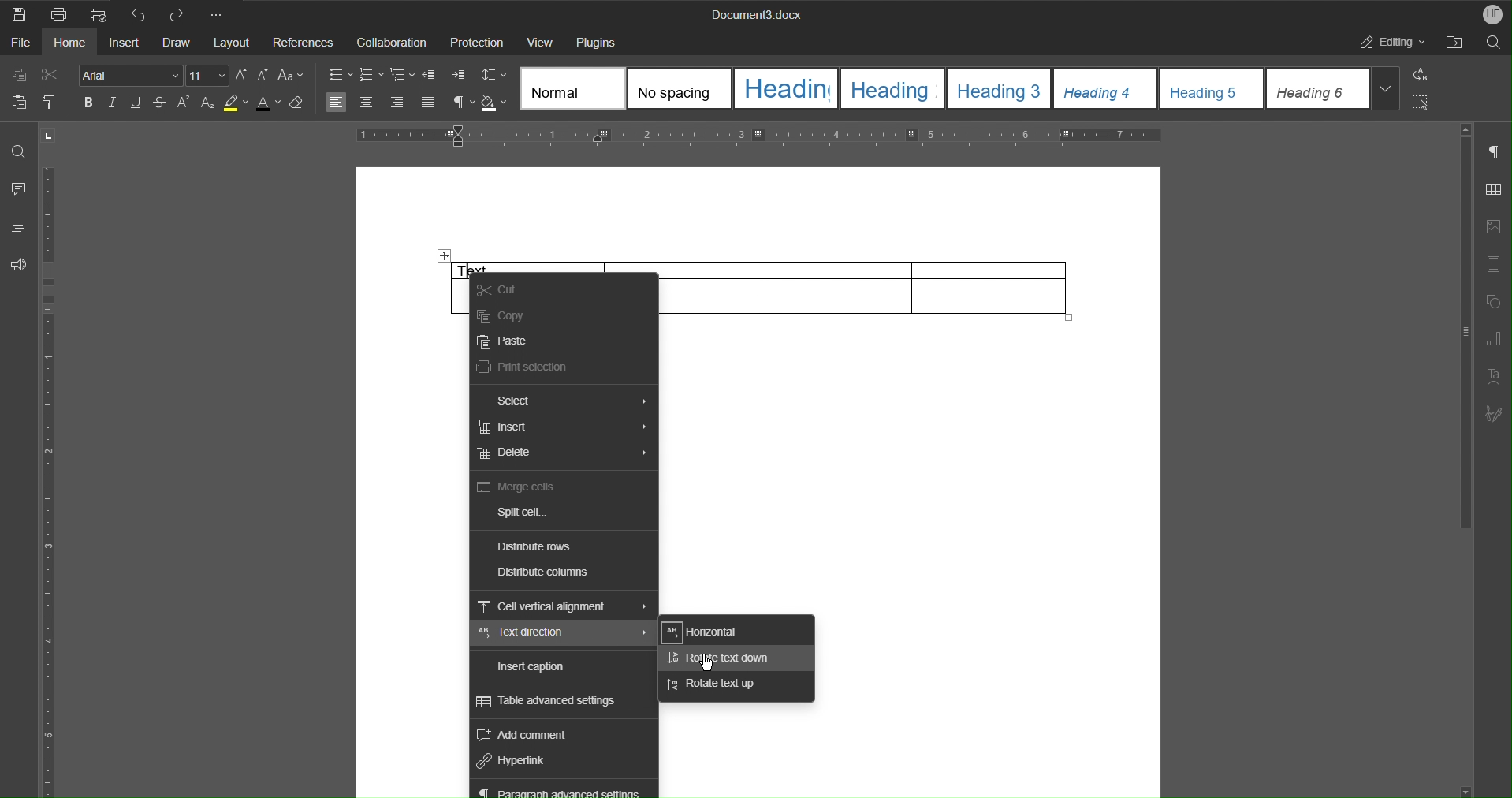 This screenshot has height=798, width=1512. I want to click on Multilevel List, so click(402, 76).